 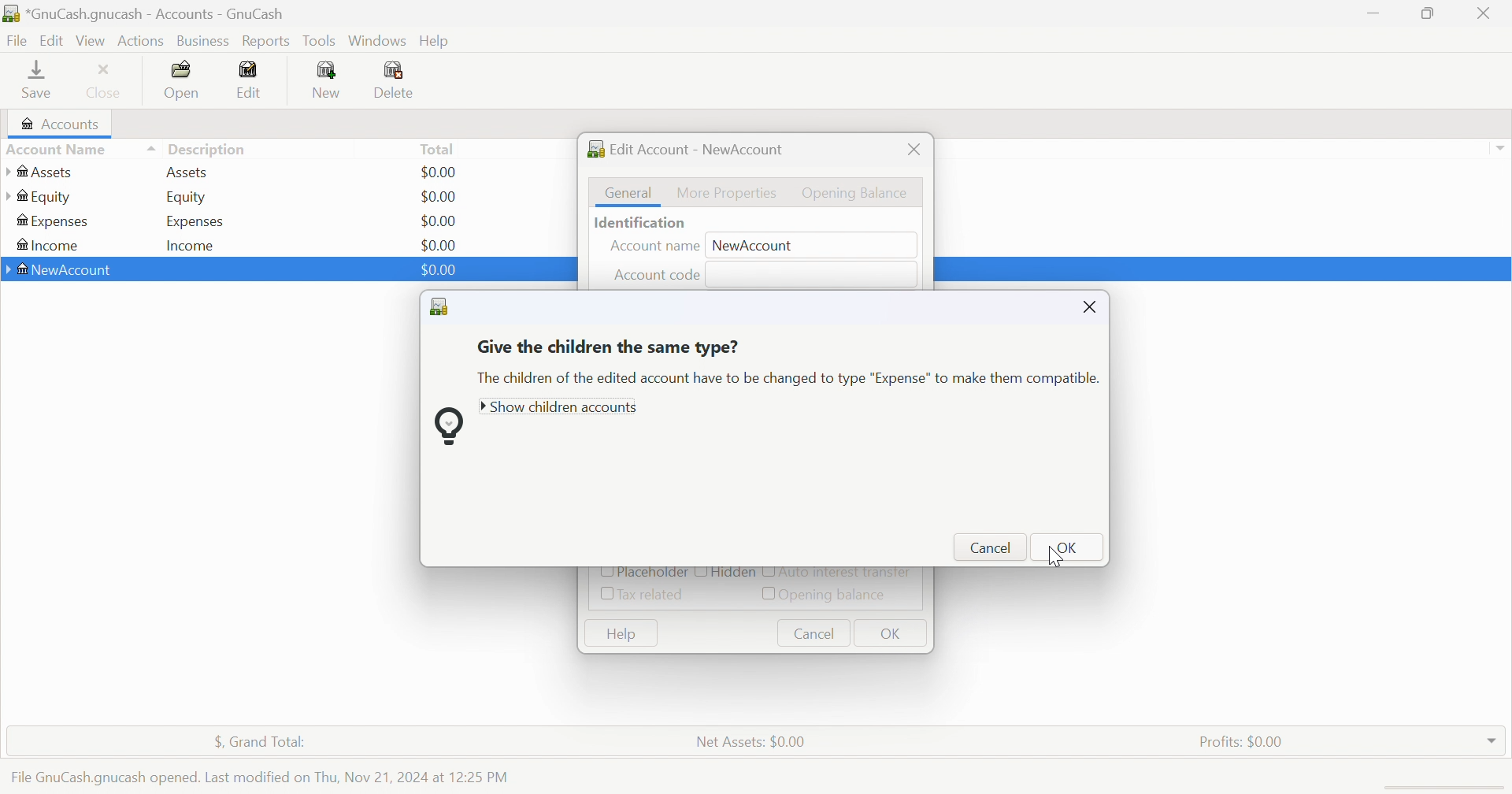 What do you see at coordinates (1484, 13) in the screenshot?
I see `Close` at bounding box center [1484, 13].